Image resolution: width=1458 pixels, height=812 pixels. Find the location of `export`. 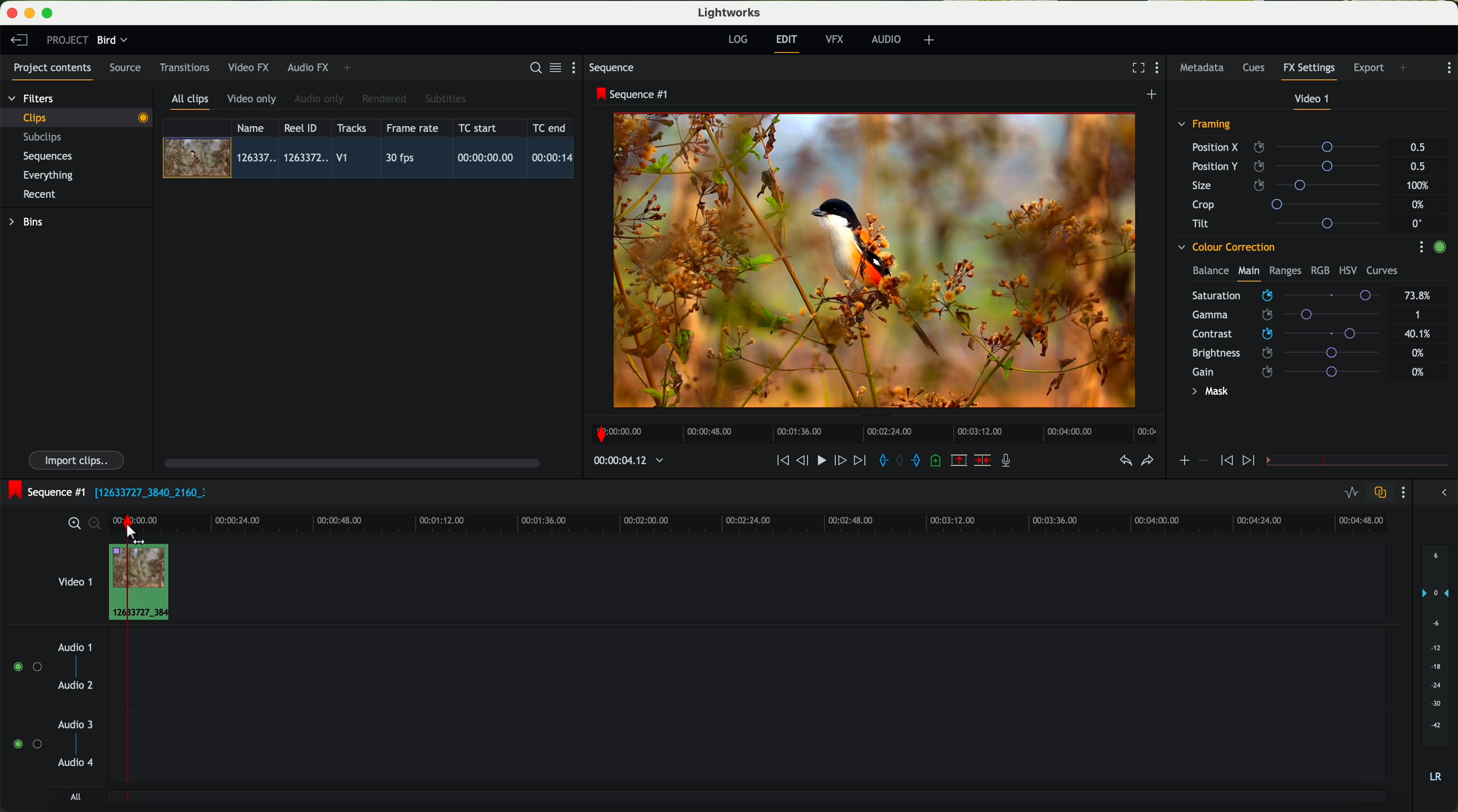

export is located at coordinates (1369, 69).